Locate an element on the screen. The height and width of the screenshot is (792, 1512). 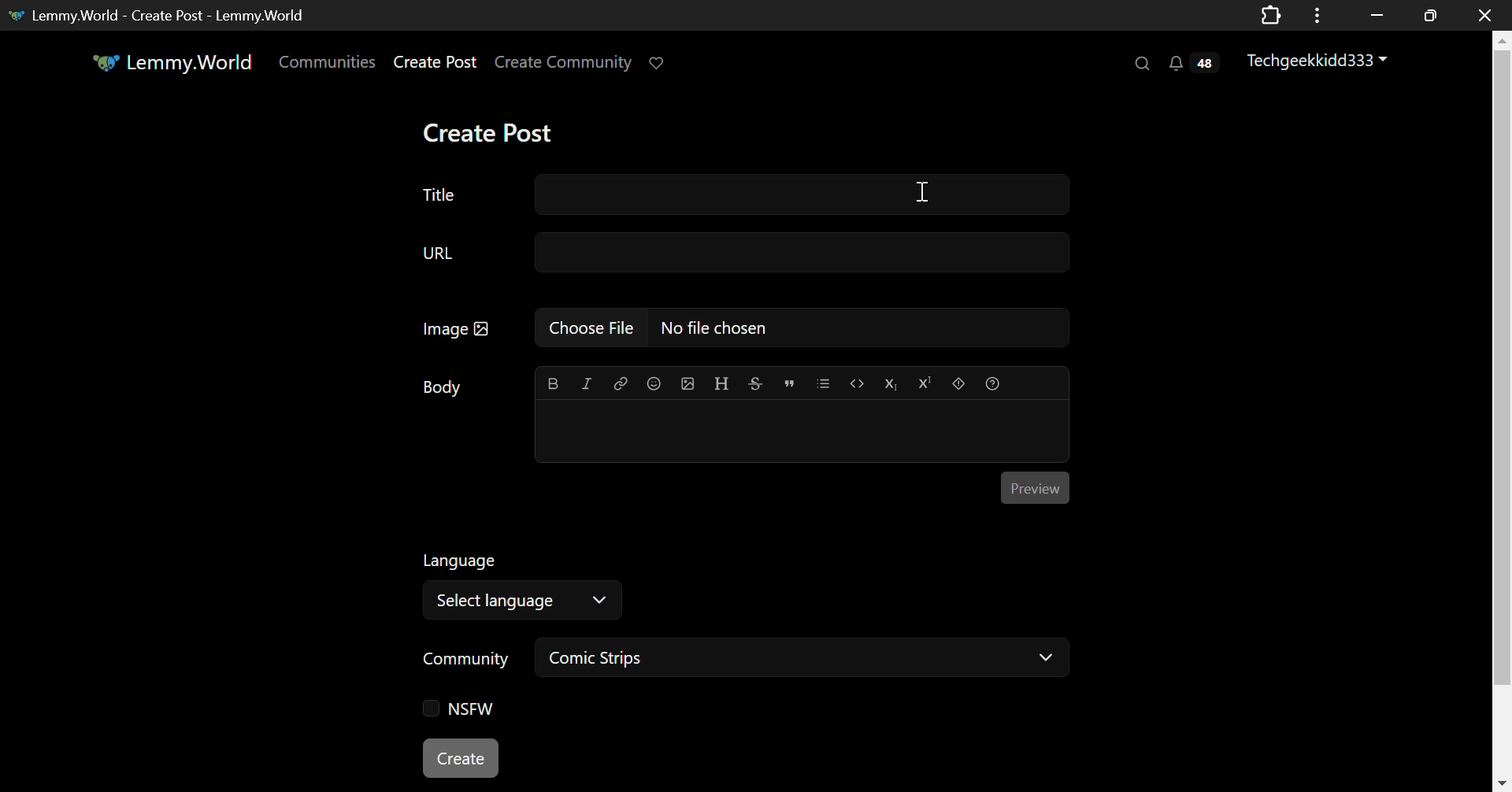
Create Post is located at coordinates (436, 65).